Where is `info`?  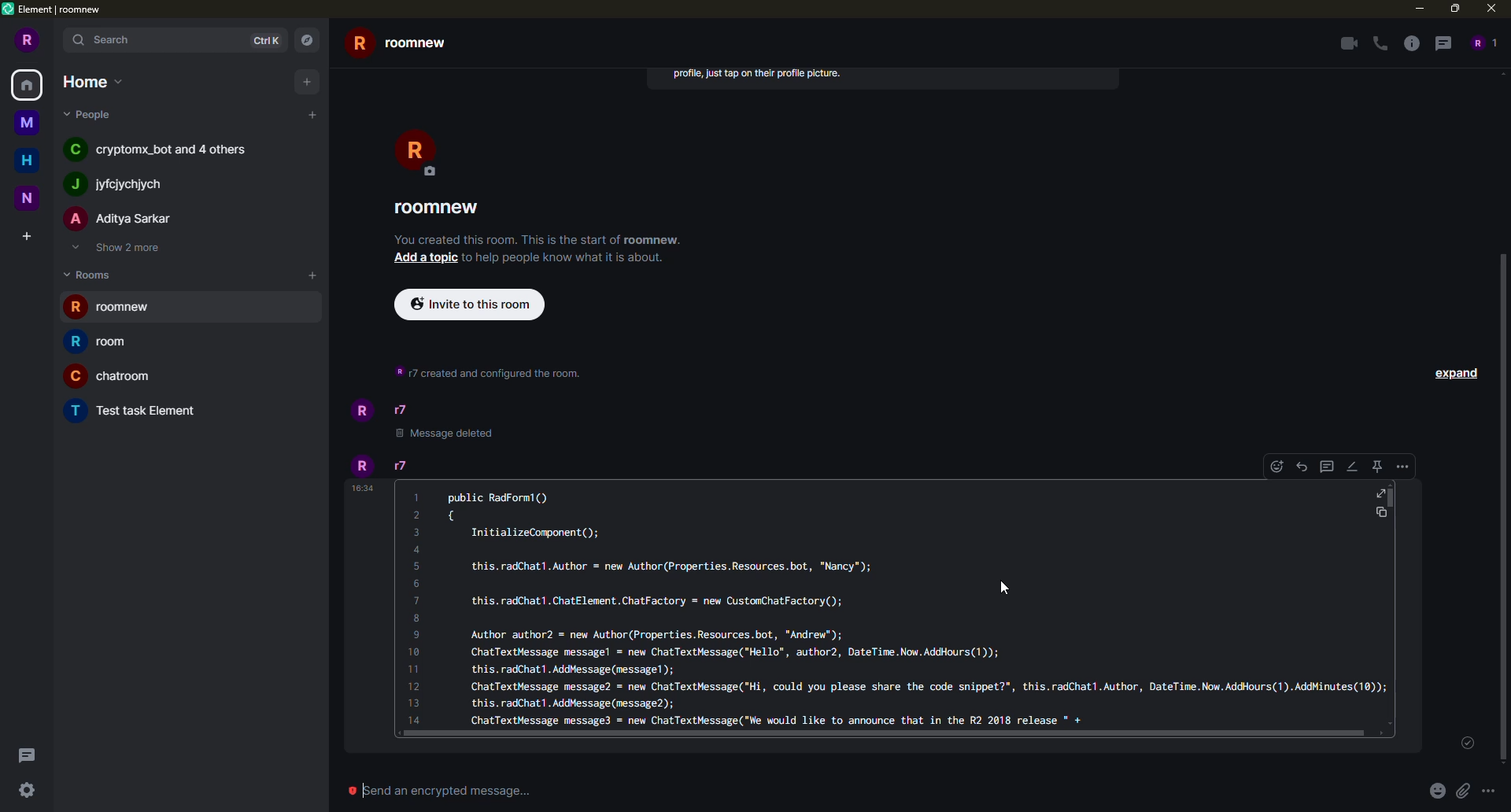 info is located at coordinates (536, 237).